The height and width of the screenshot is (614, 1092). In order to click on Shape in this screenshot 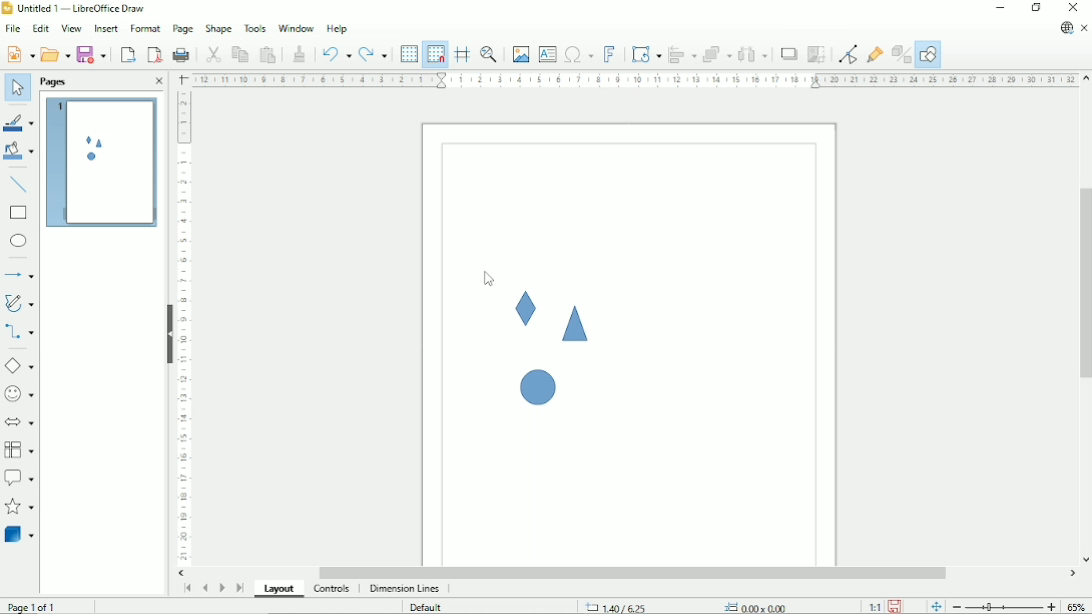, I will do `click(575, 324)`.